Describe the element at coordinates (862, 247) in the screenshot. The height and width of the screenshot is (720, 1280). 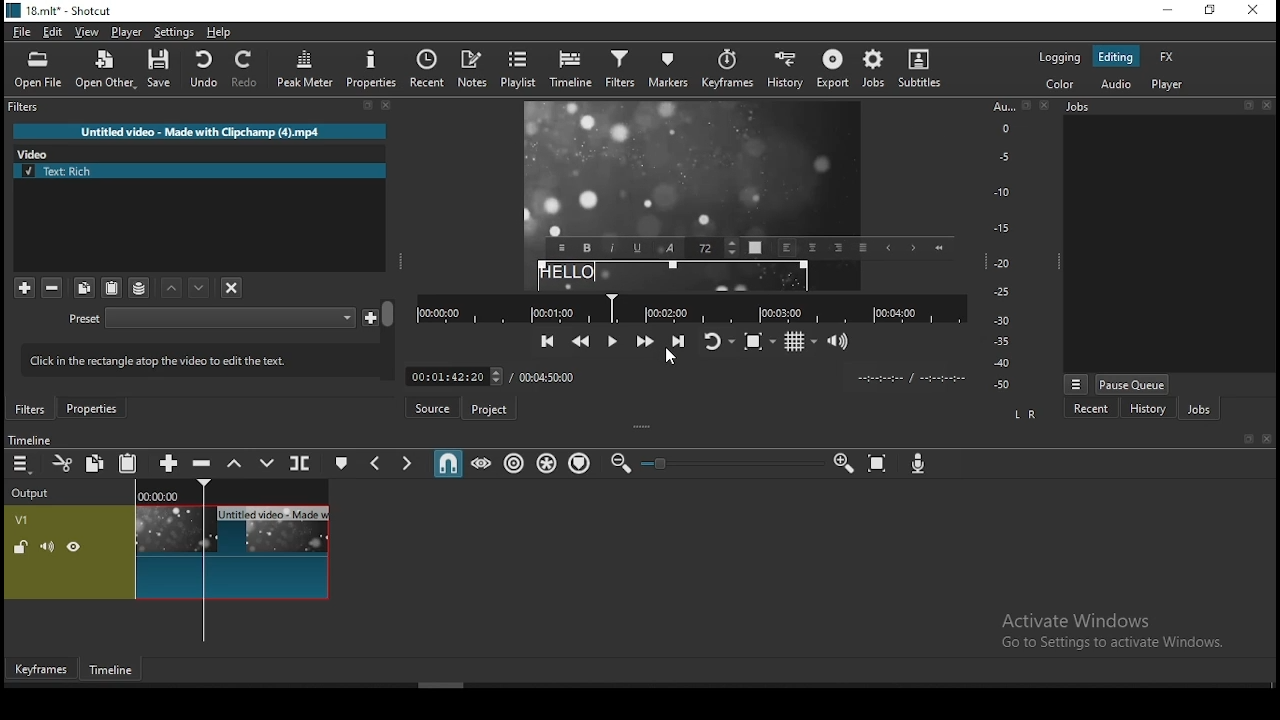
I see `Justified alignment` at that location.